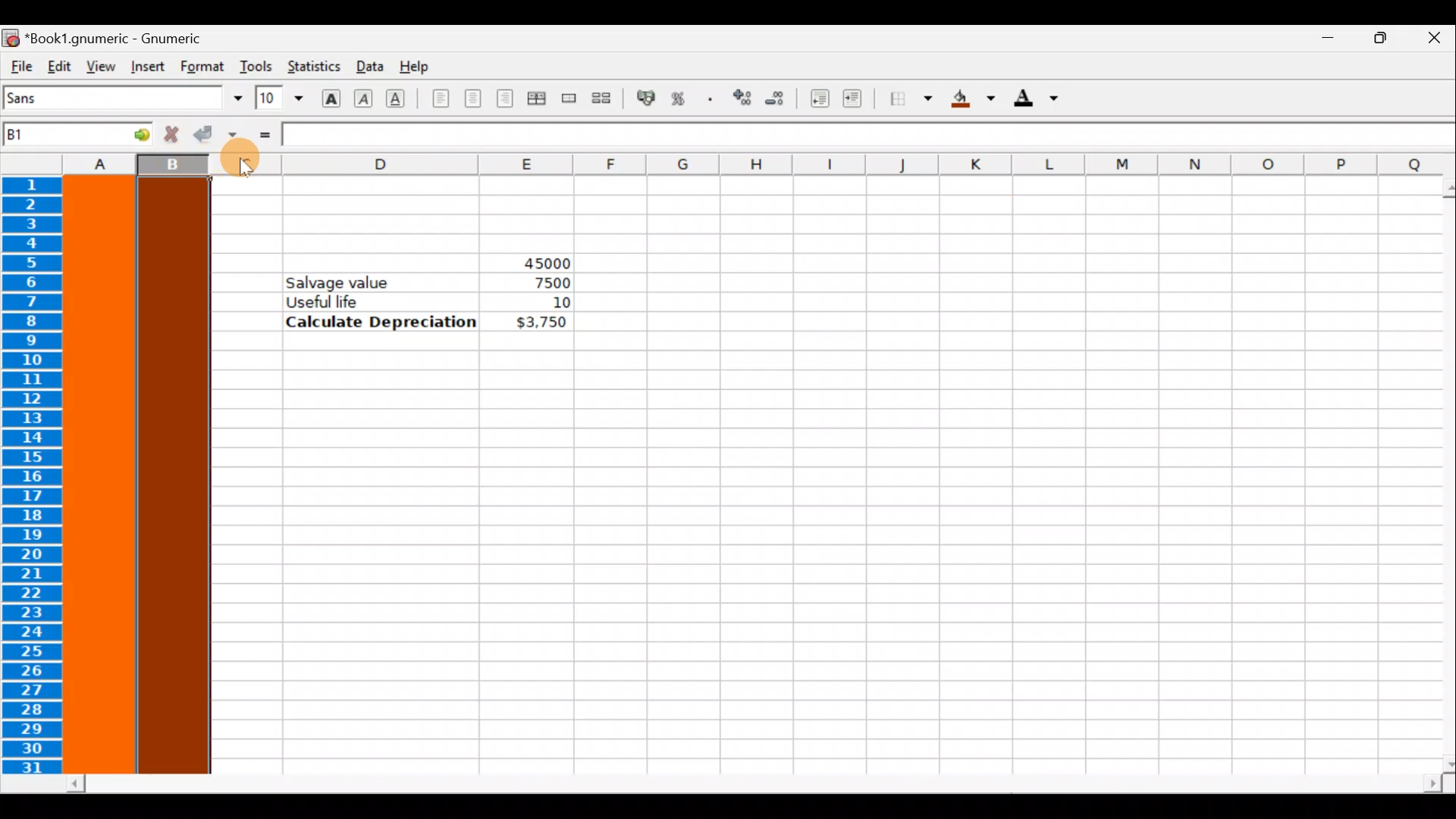  Describe the element at coordinates (911, 99) in the screenshot. I see `Borders` at that location.